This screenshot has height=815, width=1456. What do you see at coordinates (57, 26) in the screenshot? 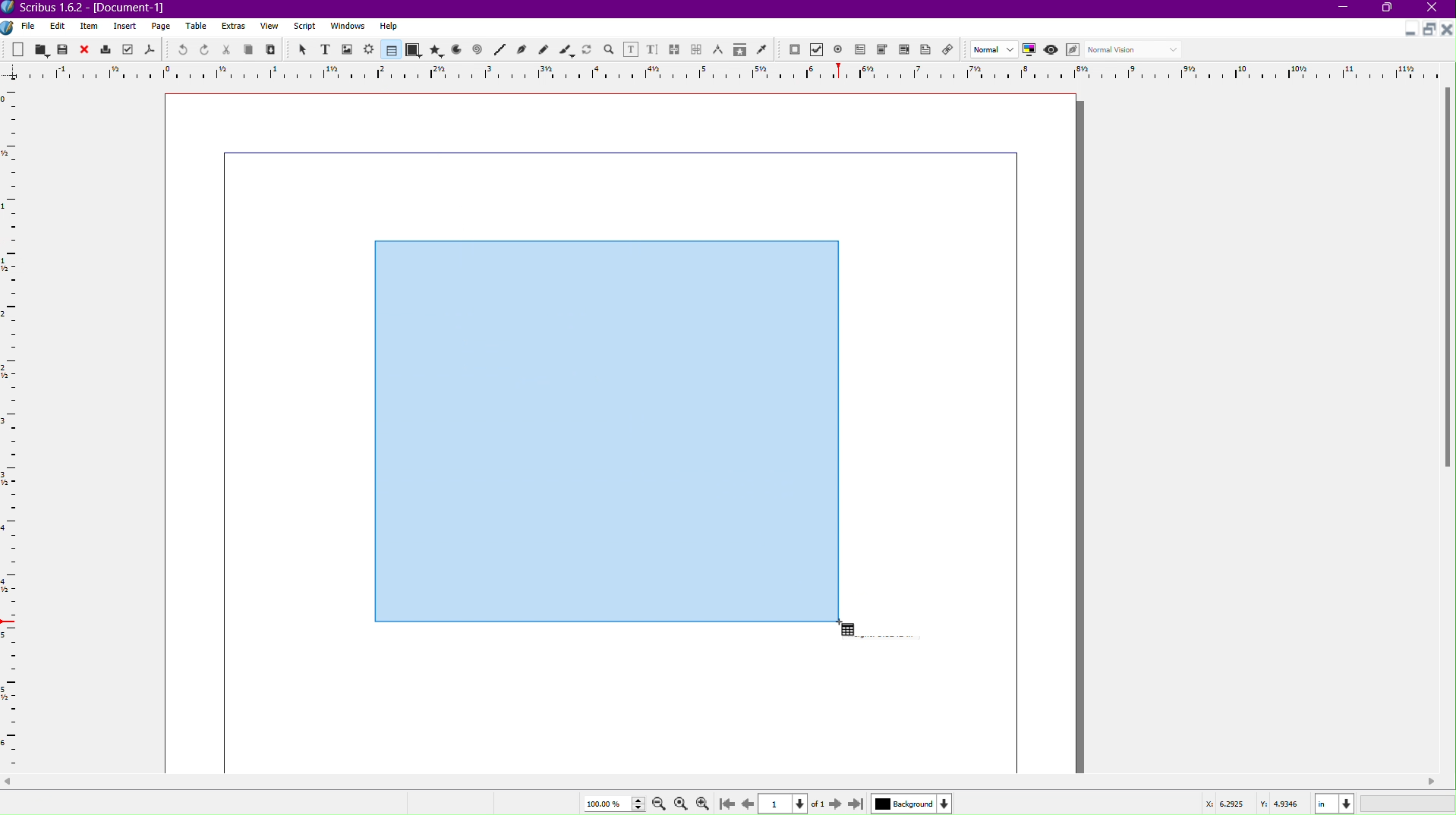
I see `Edit` at bounding box center [57, 26].